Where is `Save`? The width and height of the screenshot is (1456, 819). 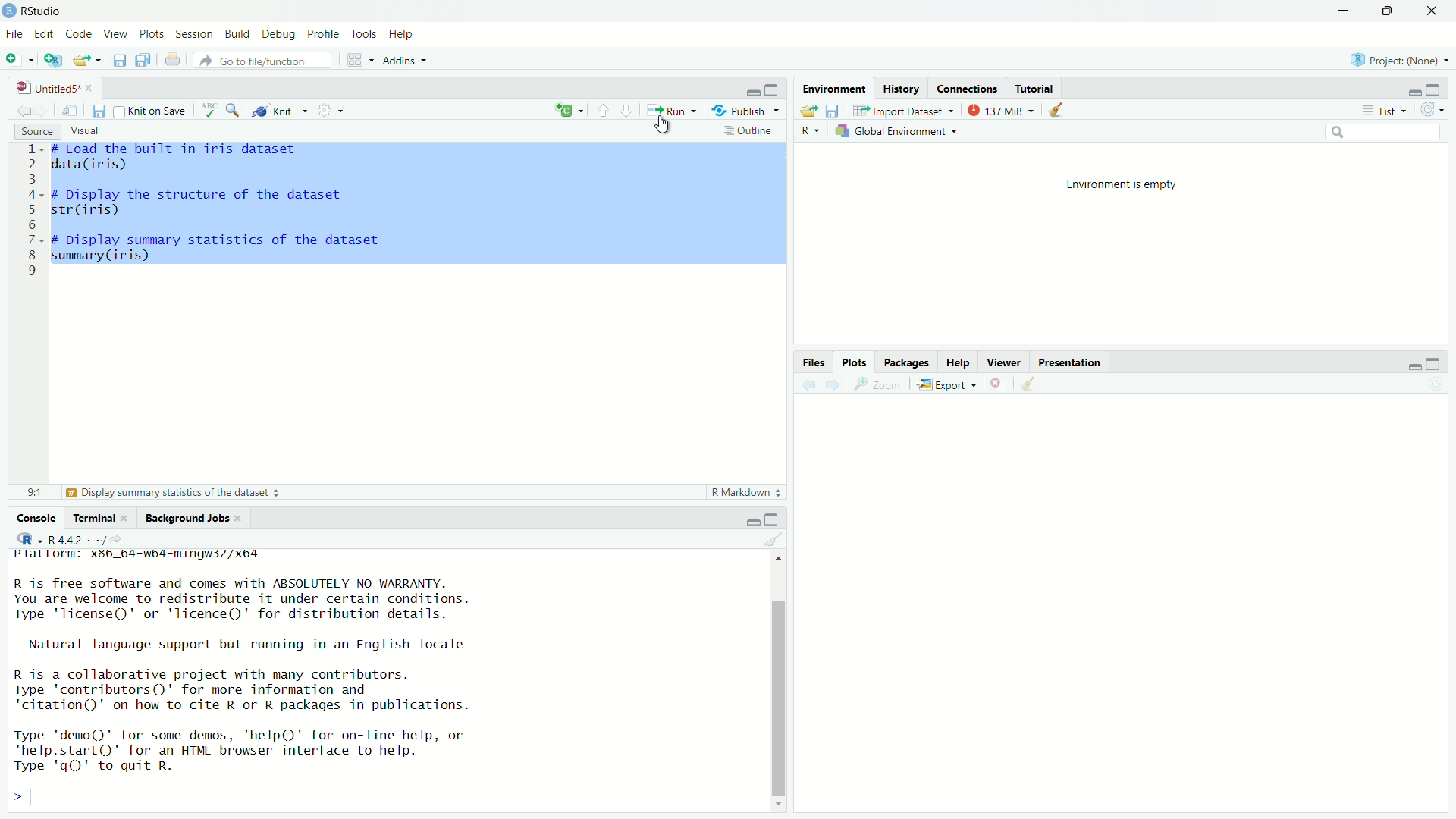 Save is located at coordinates (836, 109).